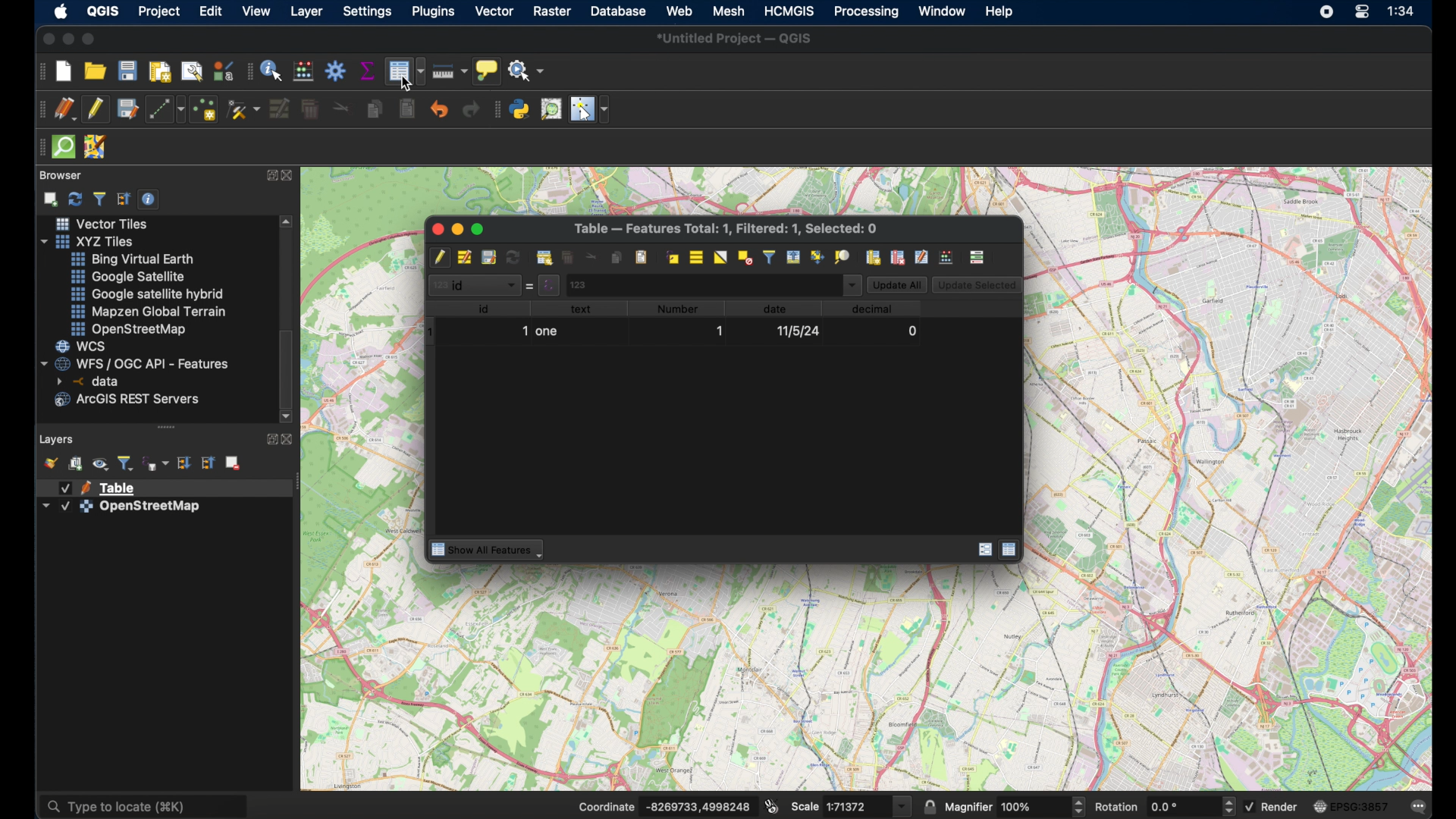  I want to click on id, so click(485, 308).